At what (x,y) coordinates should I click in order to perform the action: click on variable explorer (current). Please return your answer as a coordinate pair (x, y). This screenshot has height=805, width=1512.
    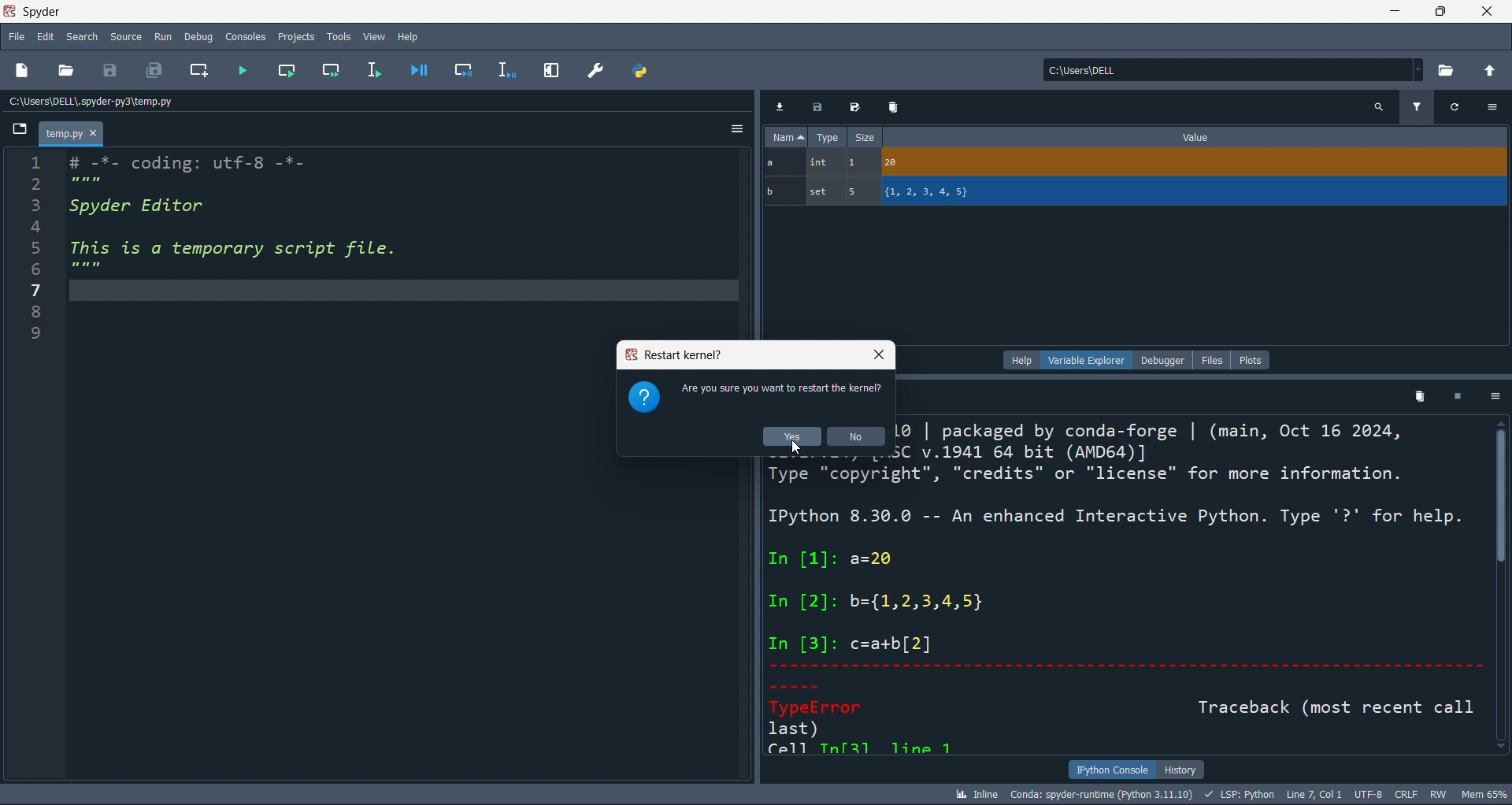
    Looking at the image, I should click on (1086, 361).